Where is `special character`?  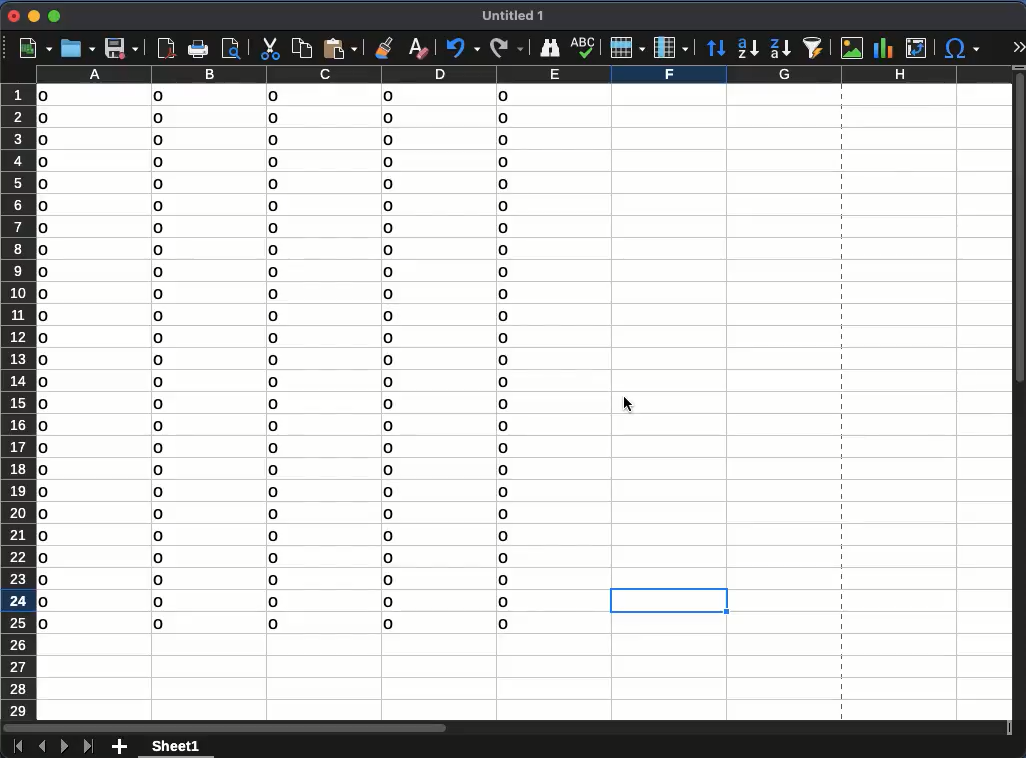 special character is located at coordinates (961, 48).